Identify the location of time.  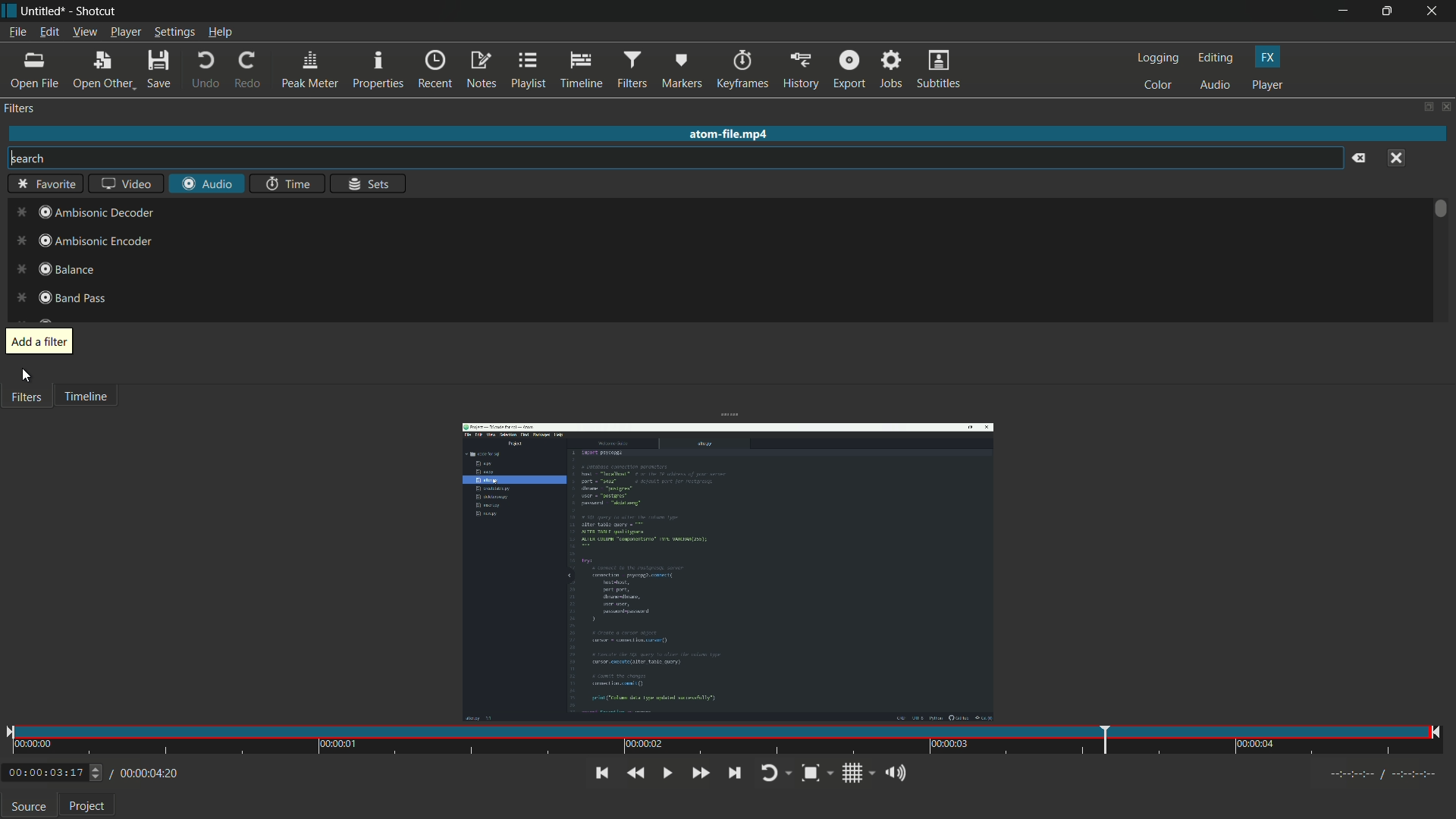
(724, 742).